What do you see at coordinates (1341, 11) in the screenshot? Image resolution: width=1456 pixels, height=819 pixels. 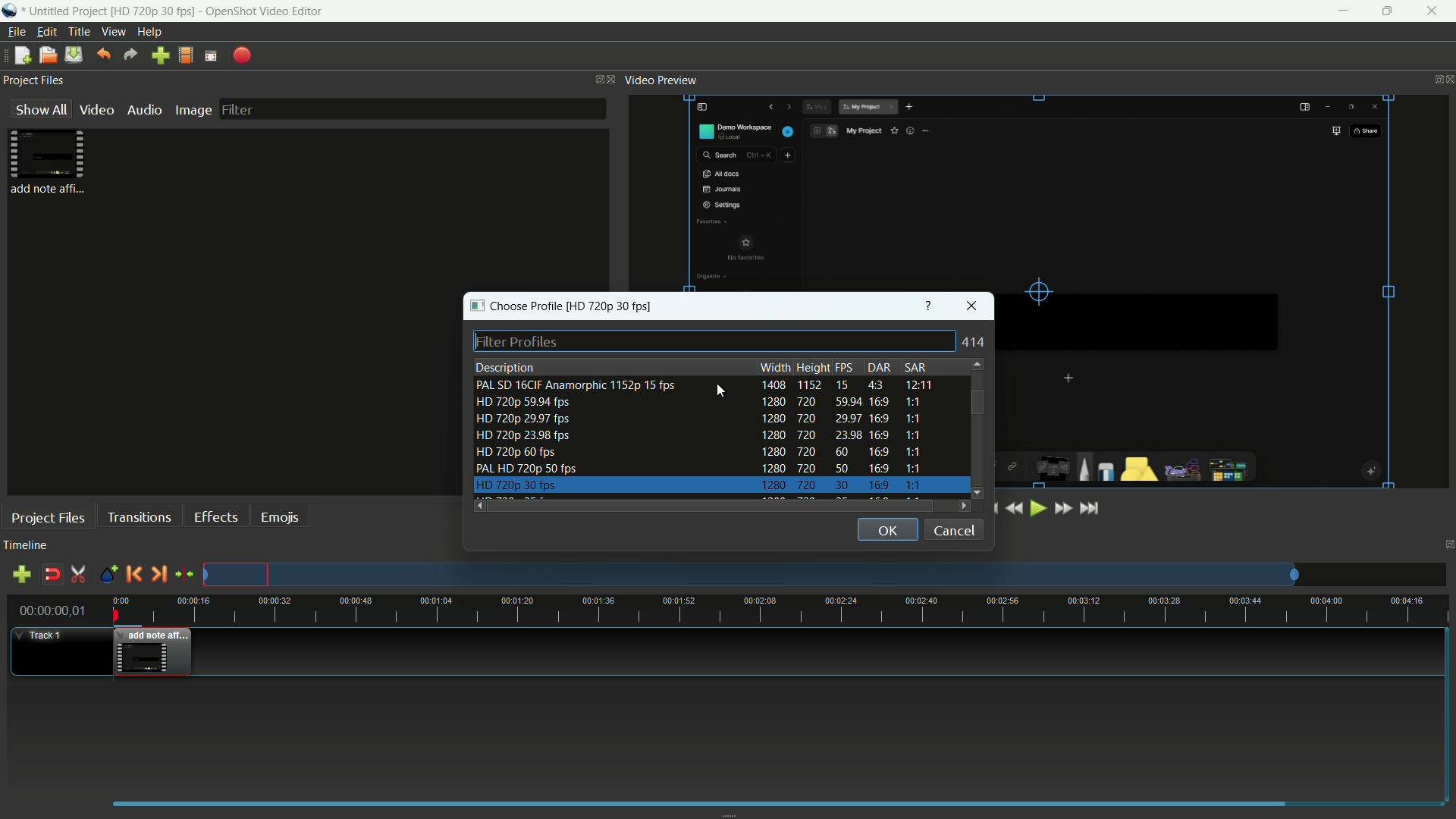 I see `minimize` at bounding box center [1341, 11].